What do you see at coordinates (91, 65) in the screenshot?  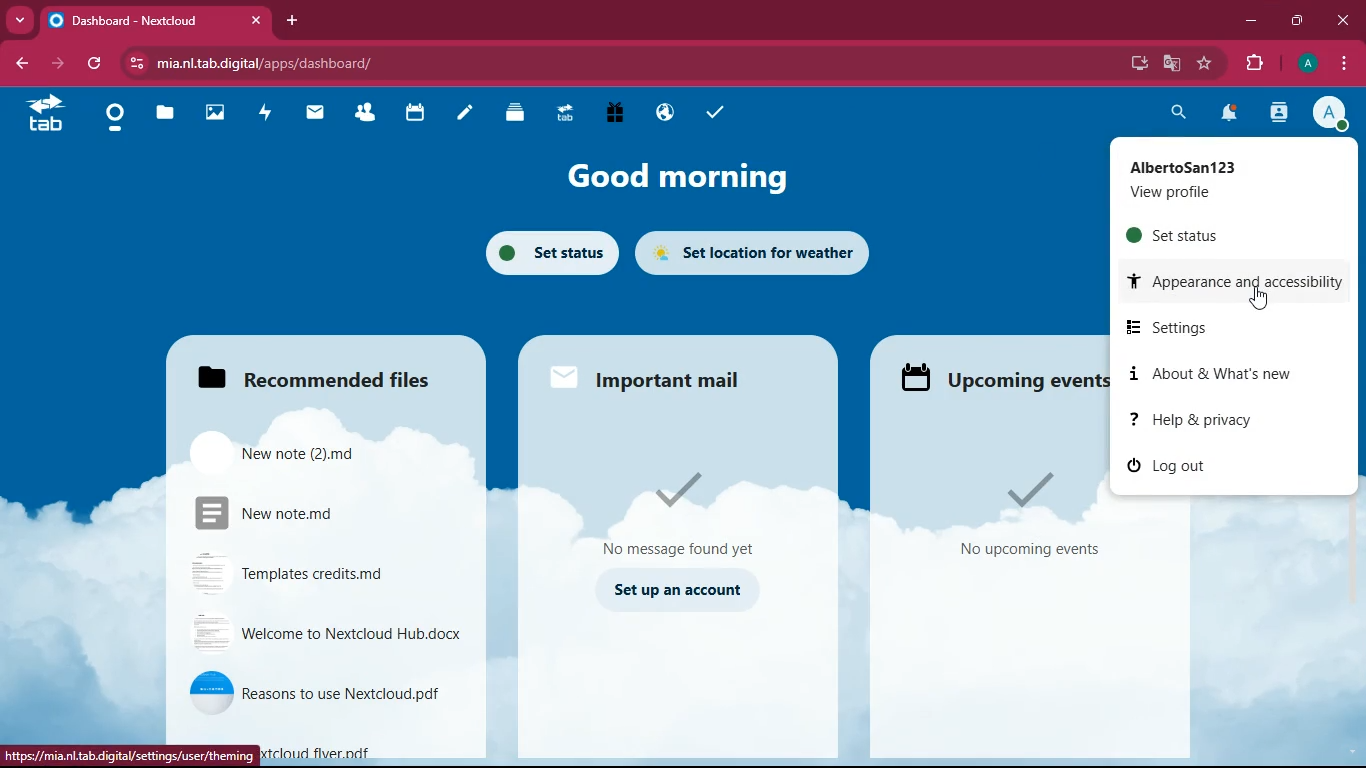 I see `refresh` at bounding box center [91, 65].